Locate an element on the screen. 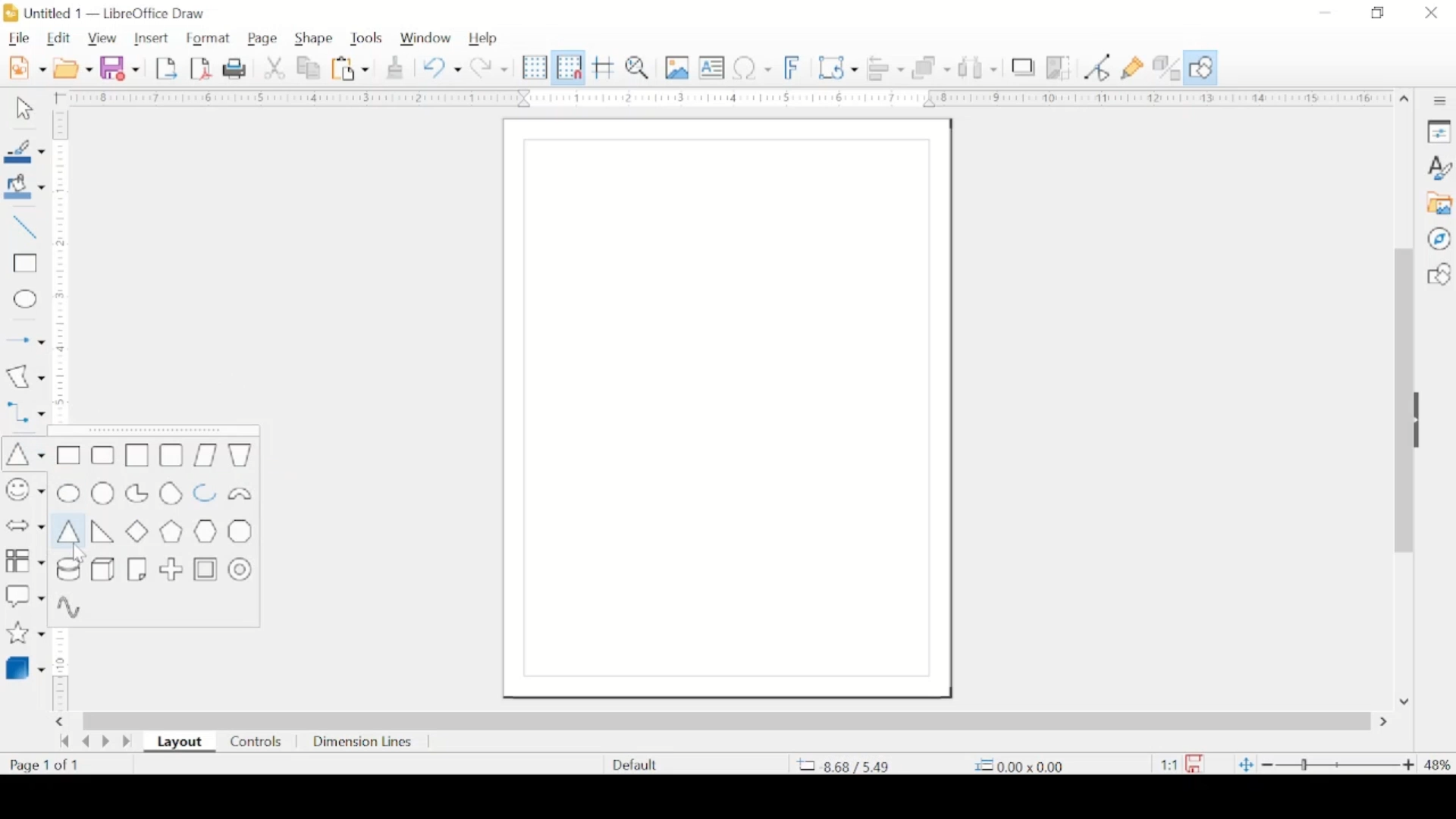  insert ellipse is located at coordinates (24, 300).